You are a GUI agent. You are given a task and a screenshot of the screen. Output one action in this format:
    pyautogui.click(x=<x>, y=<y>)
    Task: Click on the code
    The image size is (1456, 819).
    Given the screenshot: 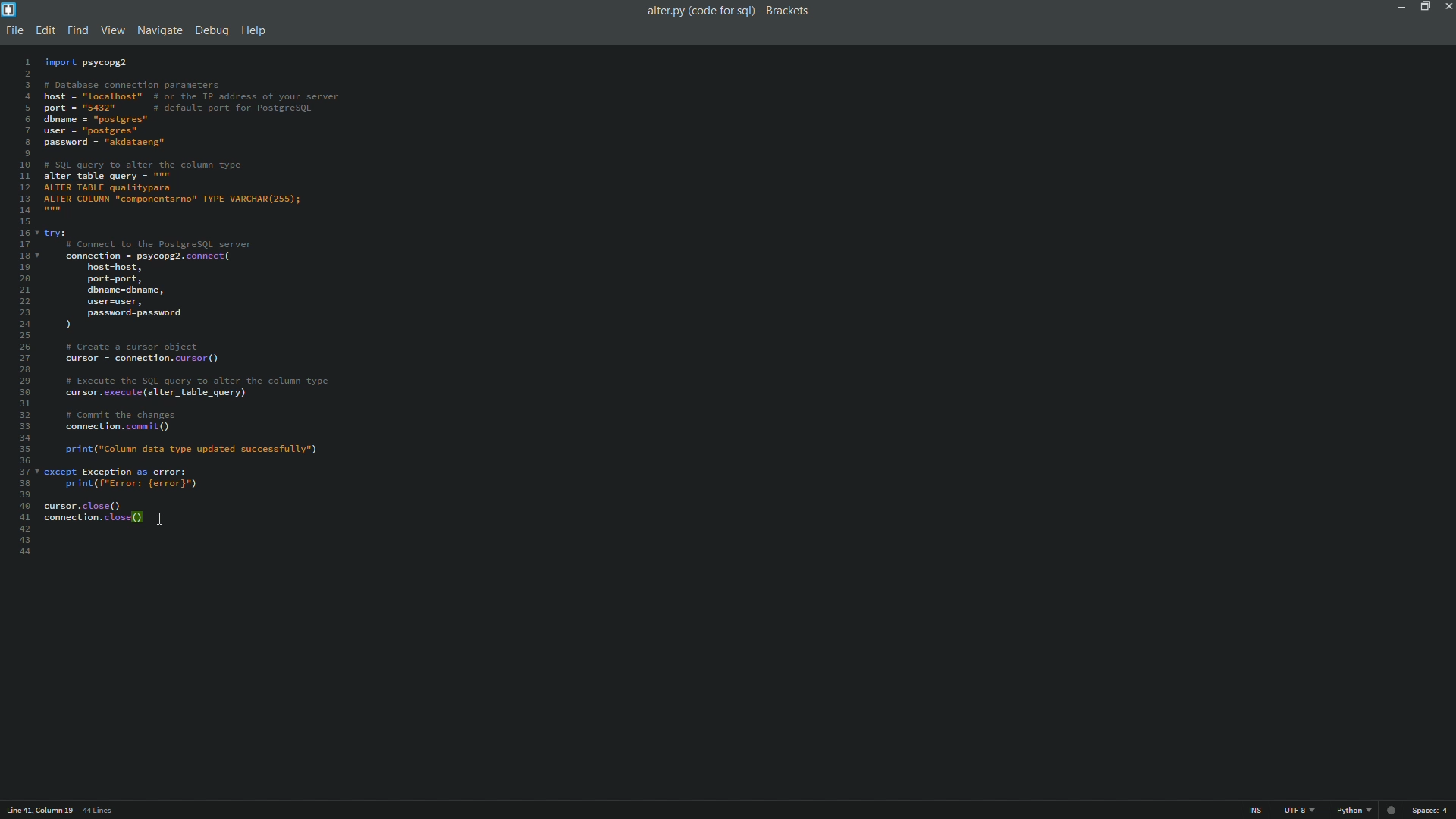 What is the action you would take?
    pyautogui.click(x=192, y=293)
    